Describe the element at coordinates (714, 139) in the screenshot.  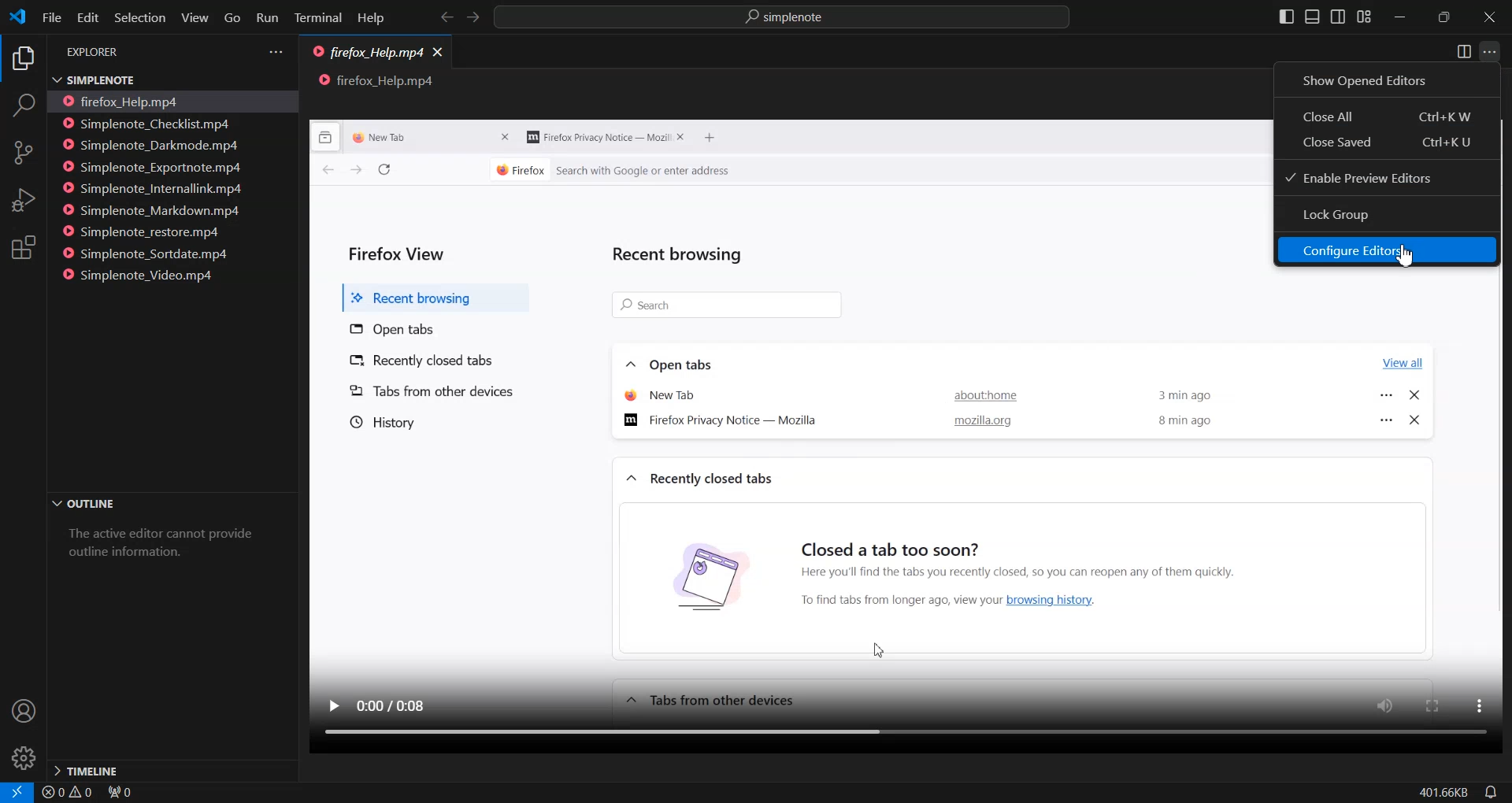
I see `add new tab` at that location.